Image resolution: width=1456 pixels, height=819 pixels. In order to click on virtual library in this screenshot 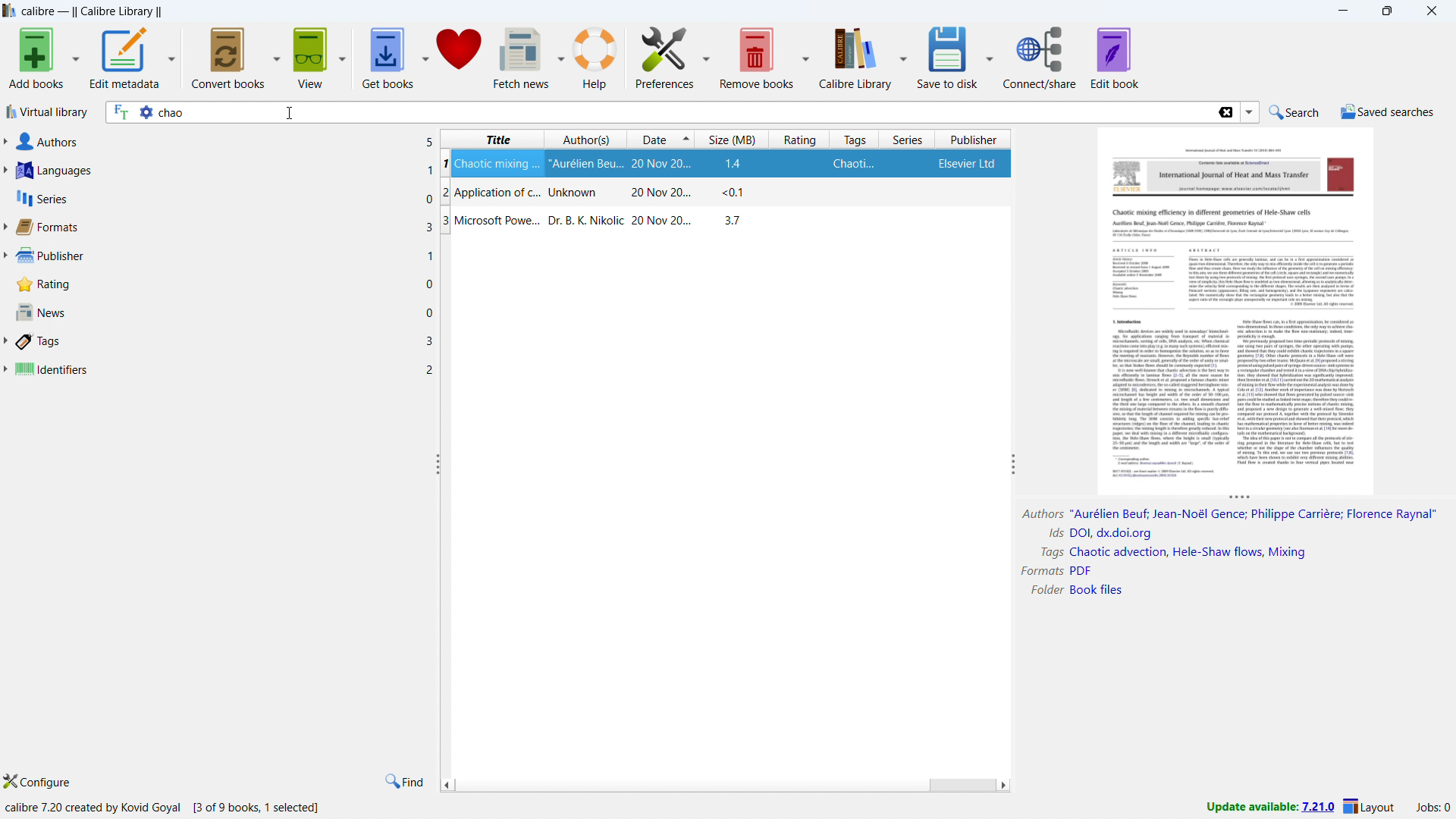, I will do `click(47, 113)`.